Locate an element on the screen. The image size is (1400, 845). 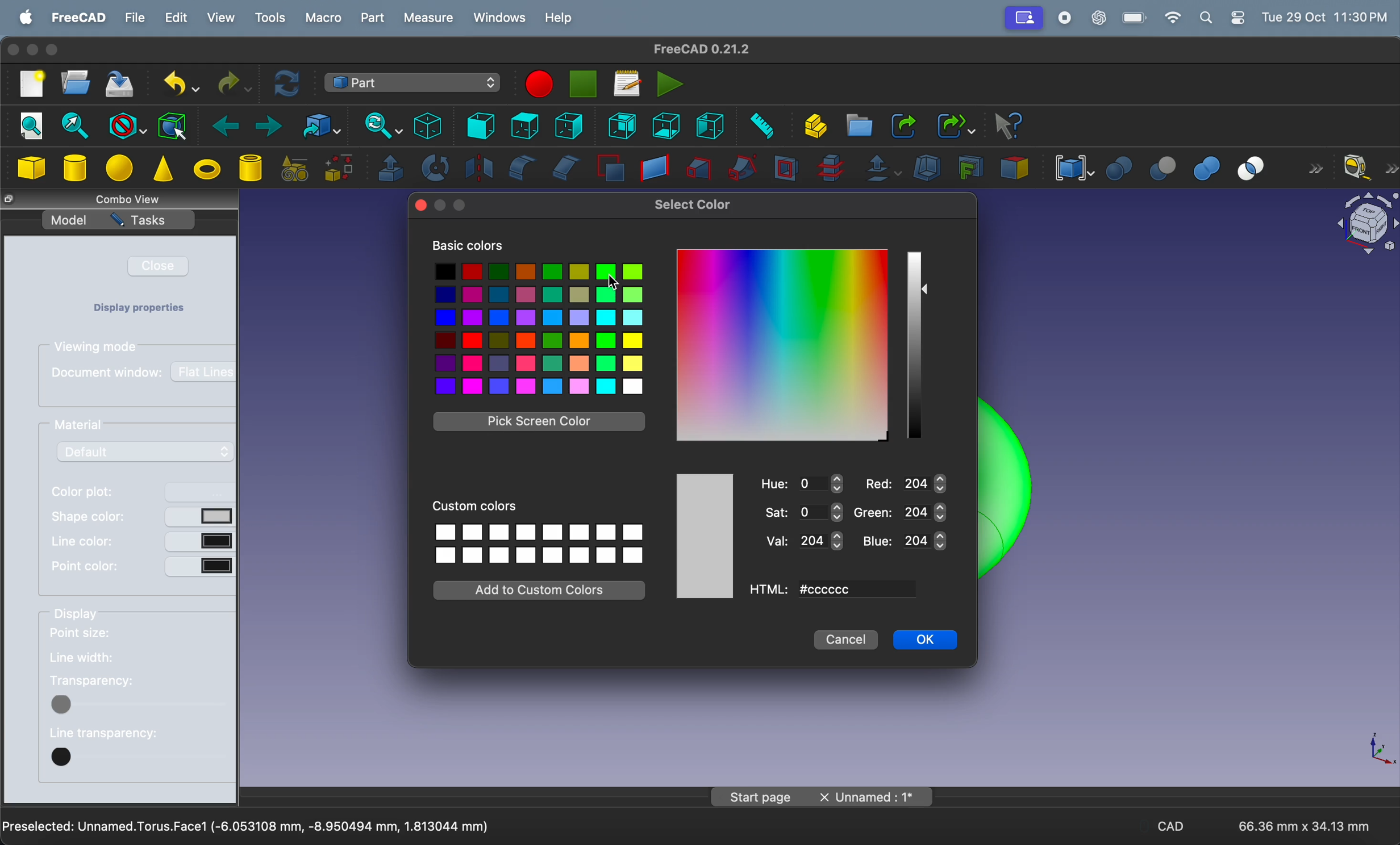
refresh is located at coordinates (289, 85).